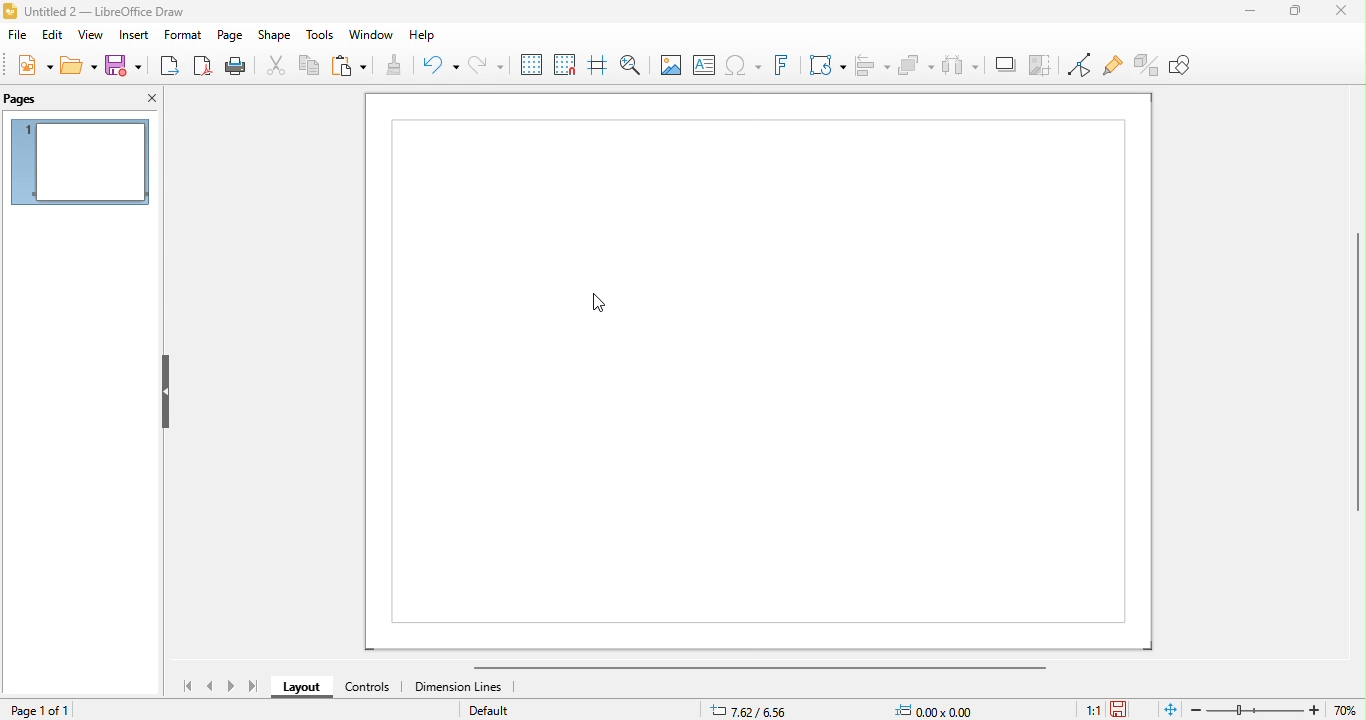 The image size is (1366, 720). Describe the element at coordinates (184, 684) in the screenshot. I see `first page` at that location.